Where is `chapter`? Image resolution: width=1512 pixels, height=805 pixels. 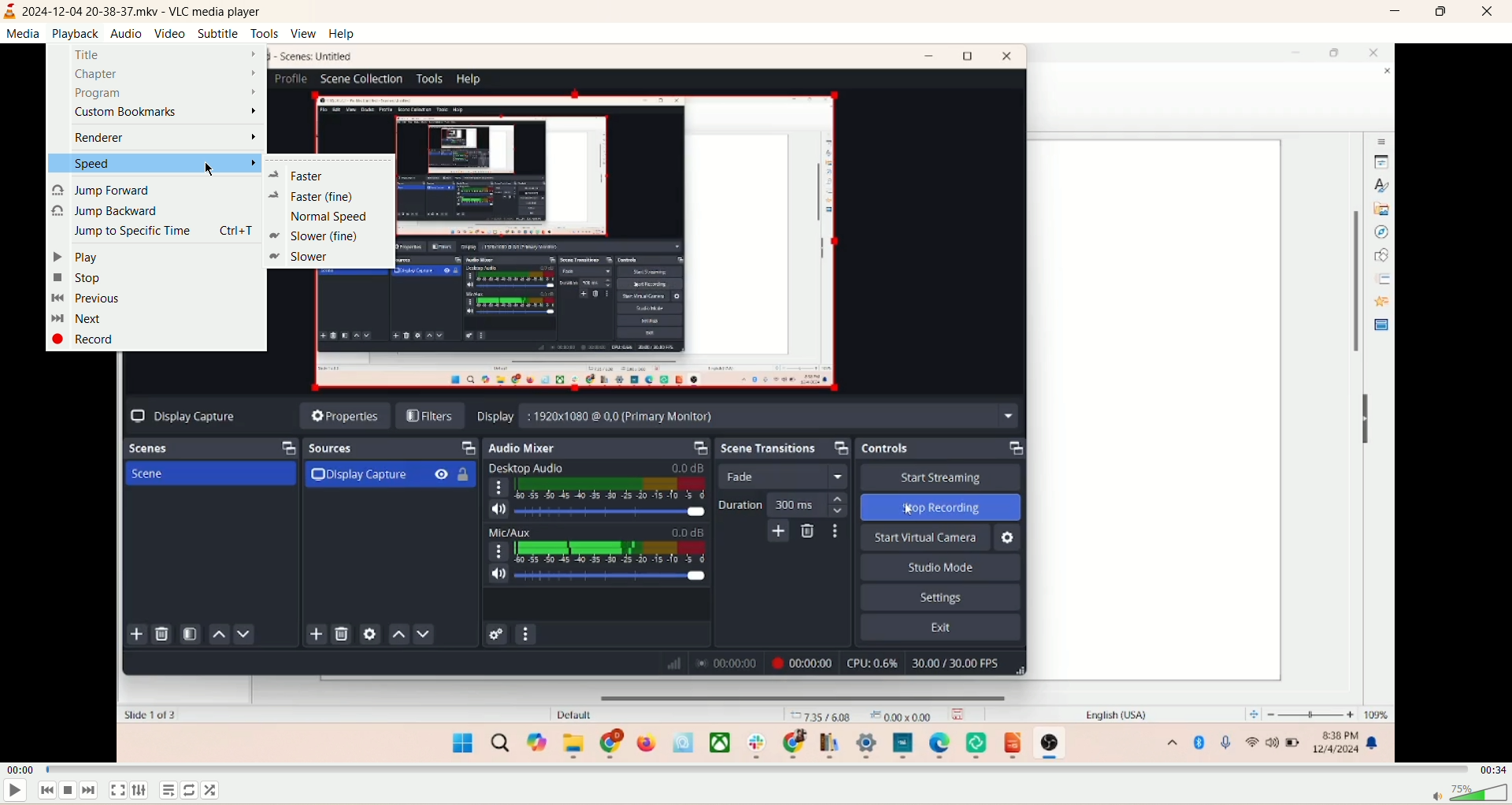
chapter is located at coordinates (166, 74).